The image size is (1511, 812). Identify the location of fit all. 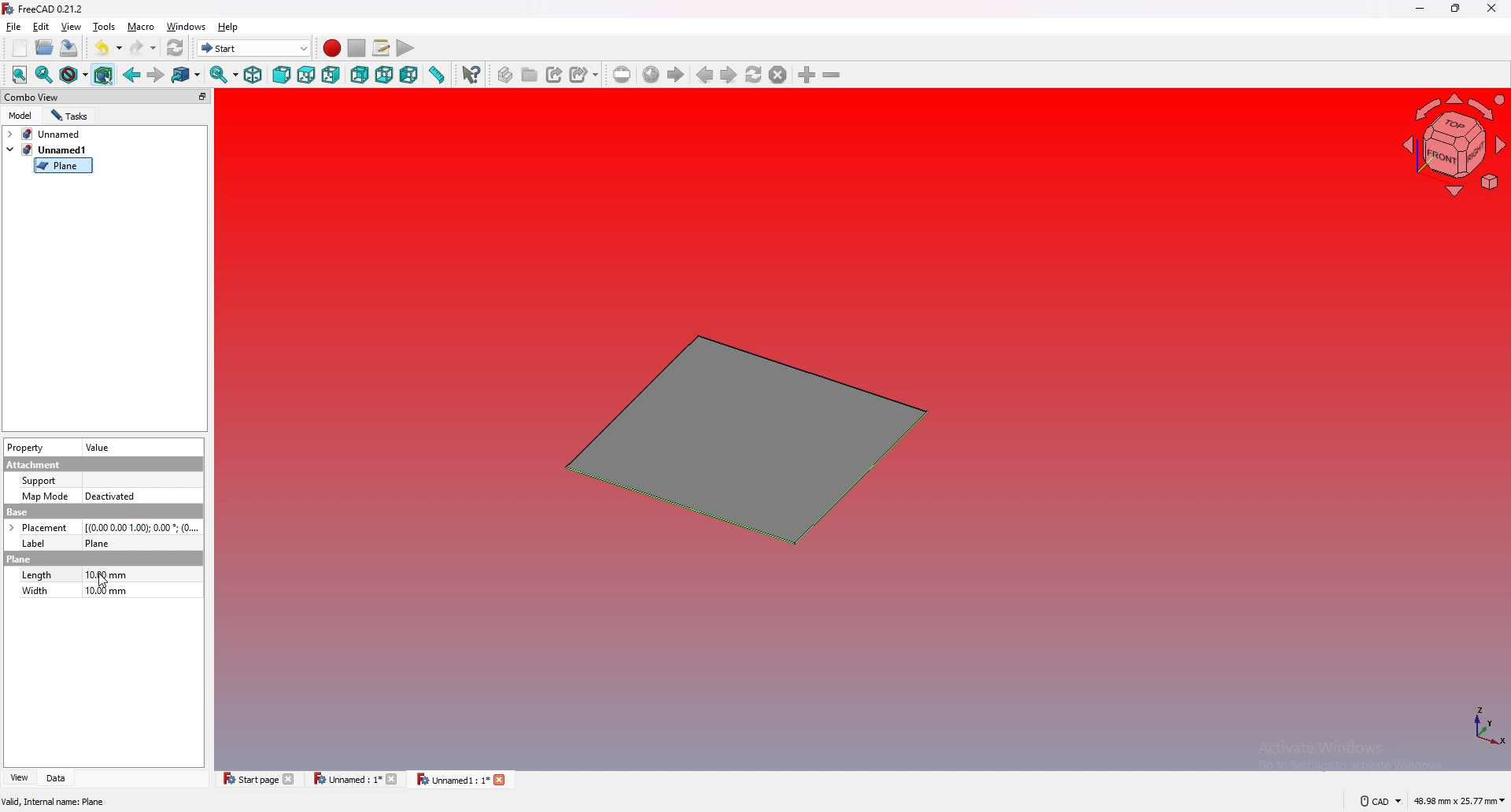
(20, 75).